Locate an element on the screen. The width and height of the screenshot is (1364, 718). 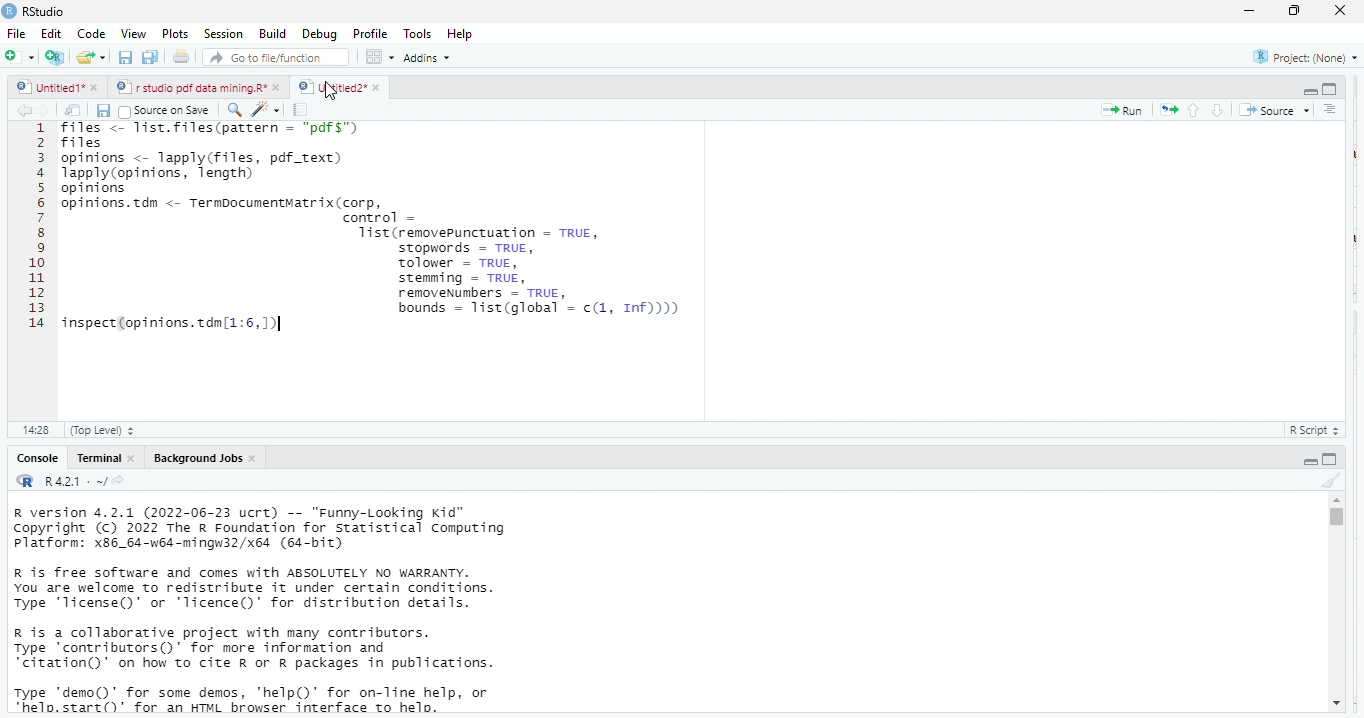
scroll up is located at coordinates (1336, 500).